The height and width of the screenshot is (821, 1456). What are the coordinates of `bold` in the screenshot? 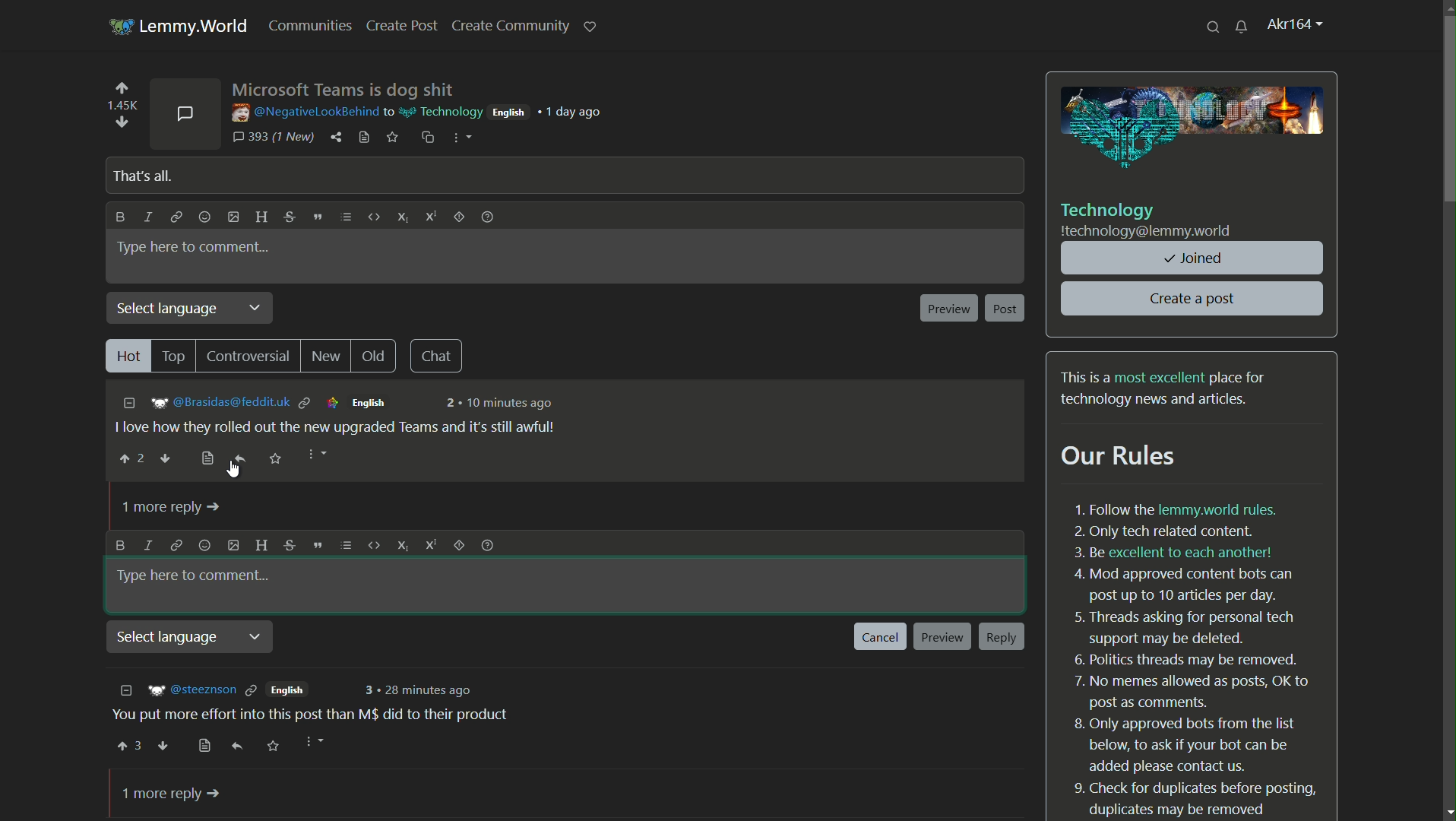 It's located at (118, 217).